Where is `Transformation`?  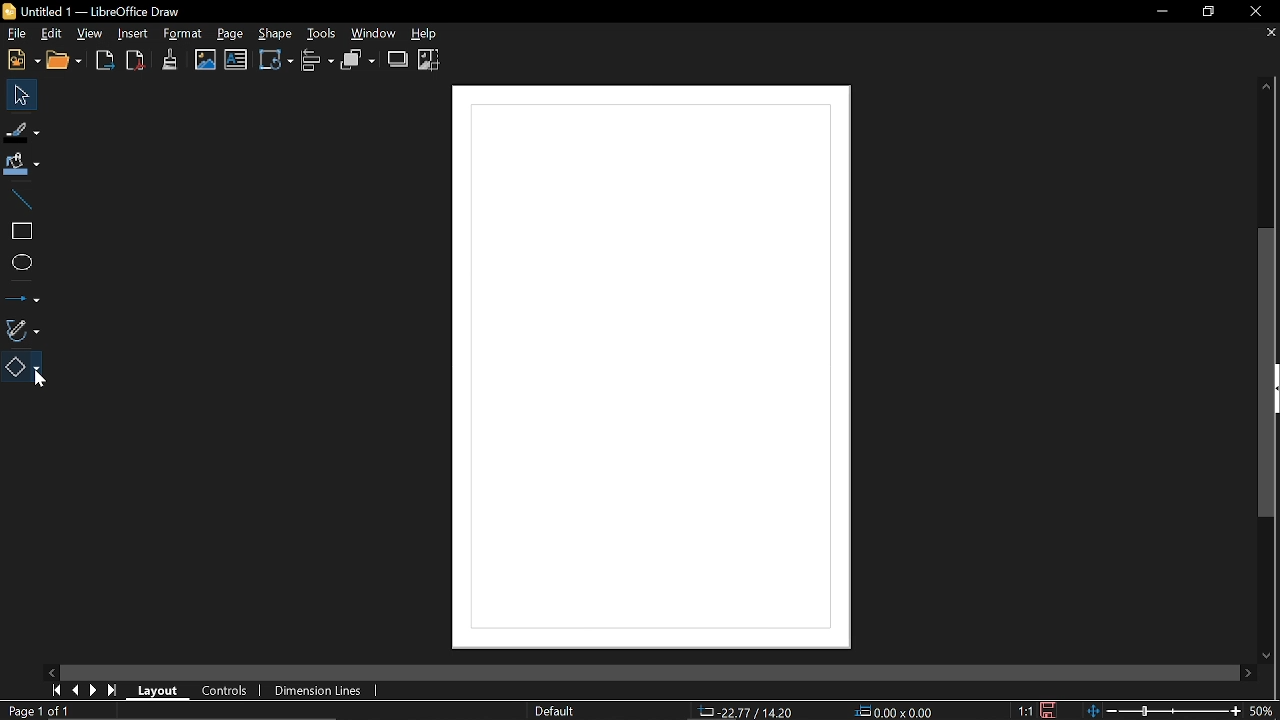 Transformation is located at coordinates (276, 59).